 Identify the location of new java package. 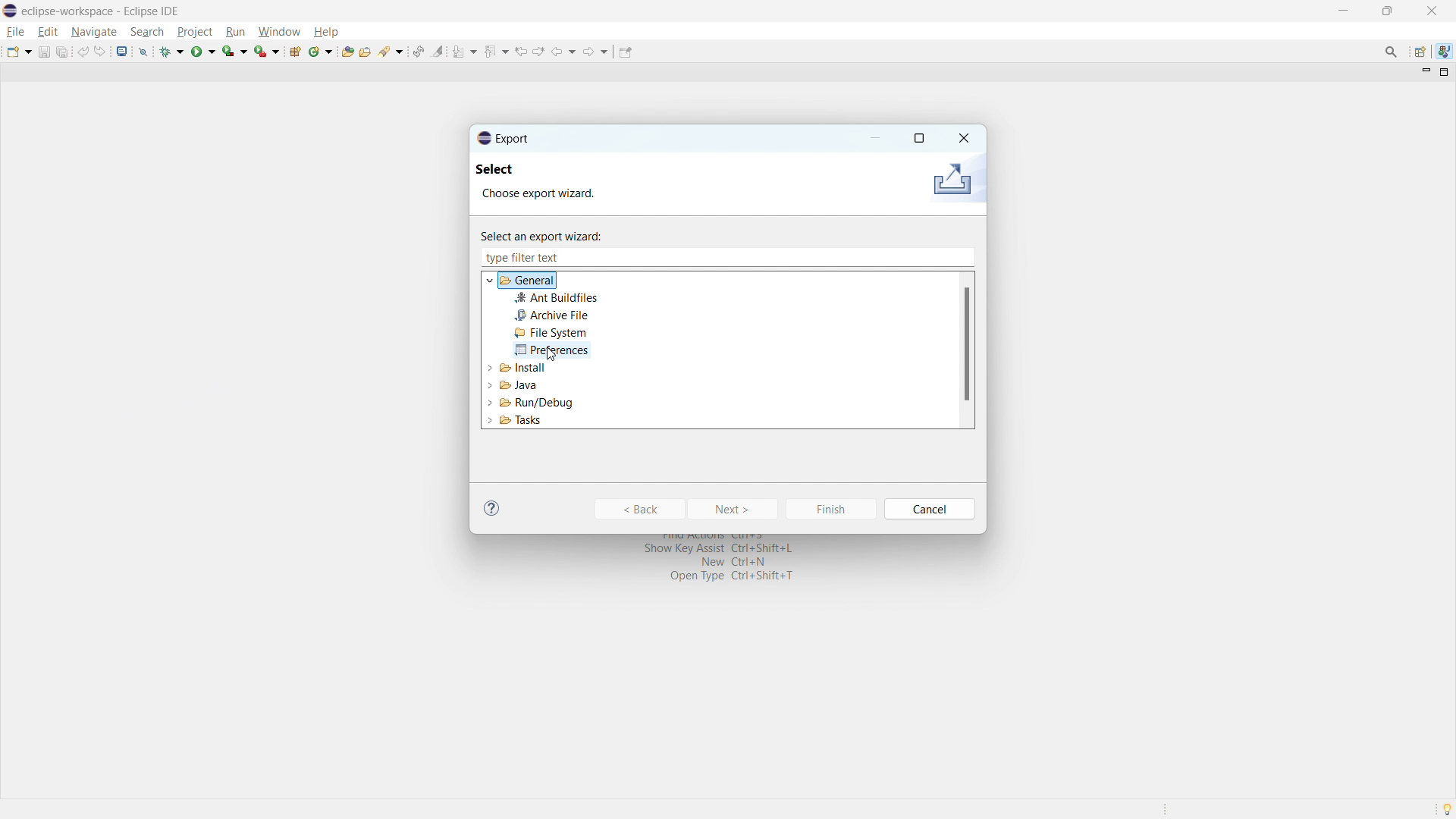
(295, 51).